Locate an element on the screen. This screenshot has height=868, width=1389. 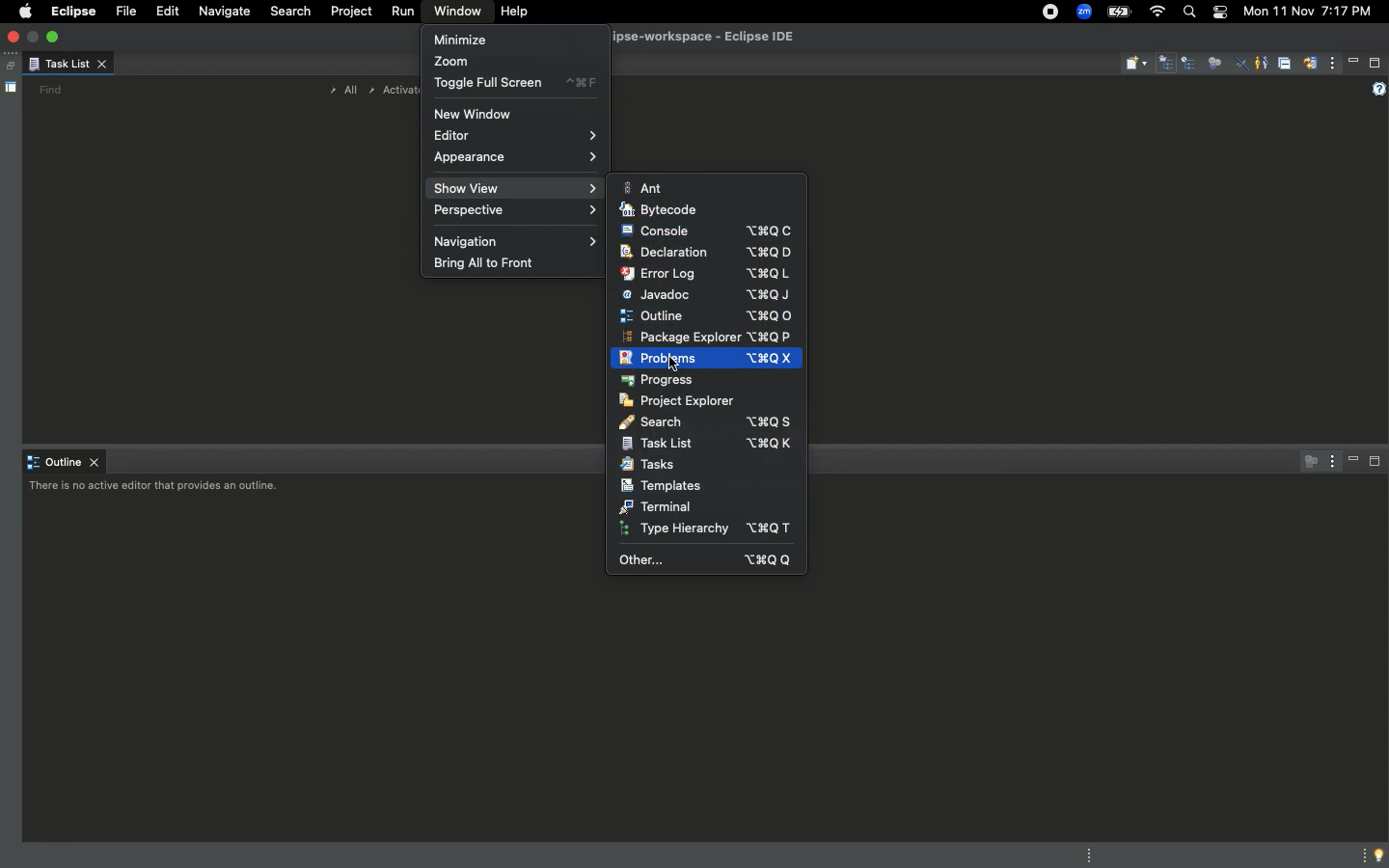
Project is located at coordinates (348, 14).